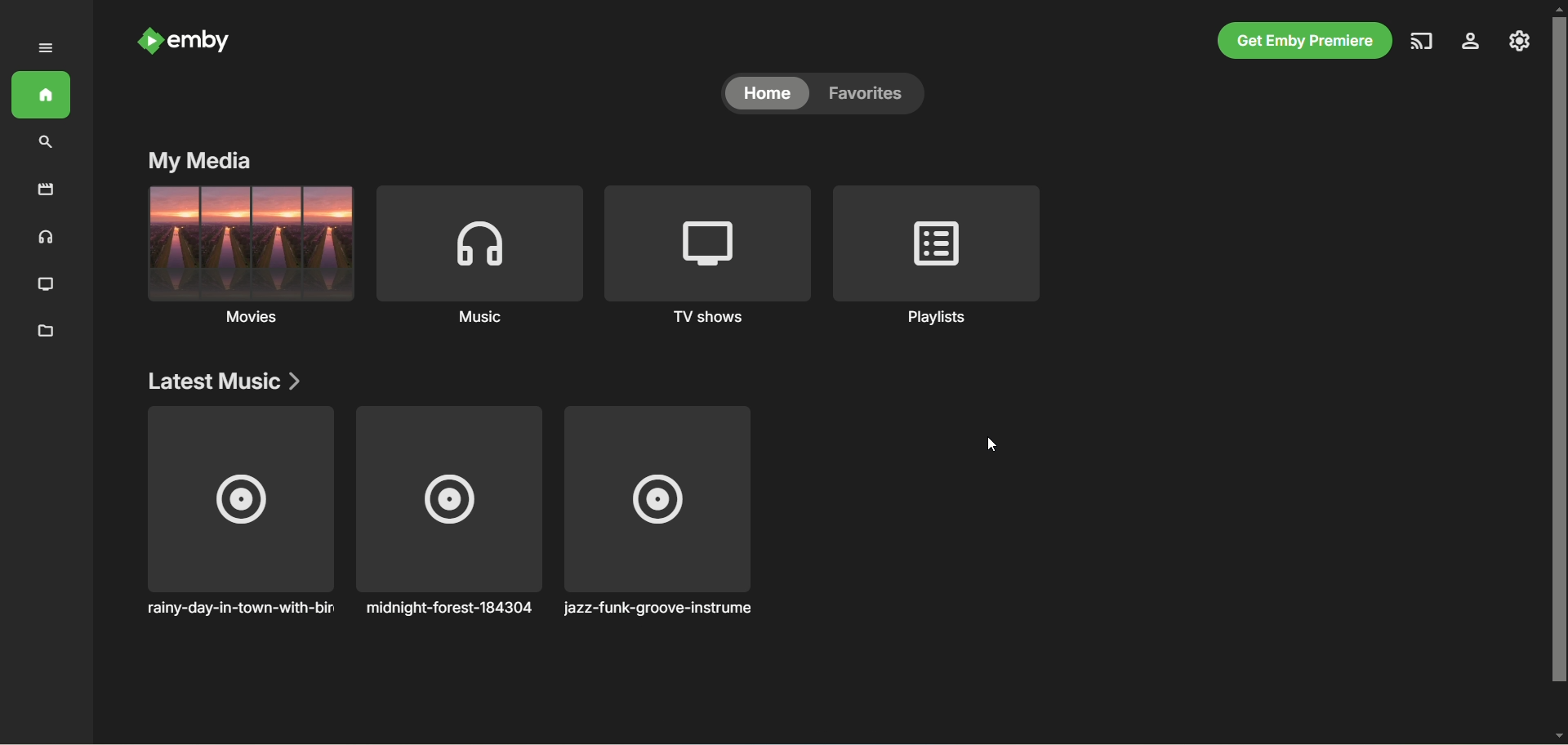 The width and height of the screenshot is (1568, 745). What do you see at coordinates (873, 93) in the screenshot?
I see `favorites` at bounding box center [873, 93].